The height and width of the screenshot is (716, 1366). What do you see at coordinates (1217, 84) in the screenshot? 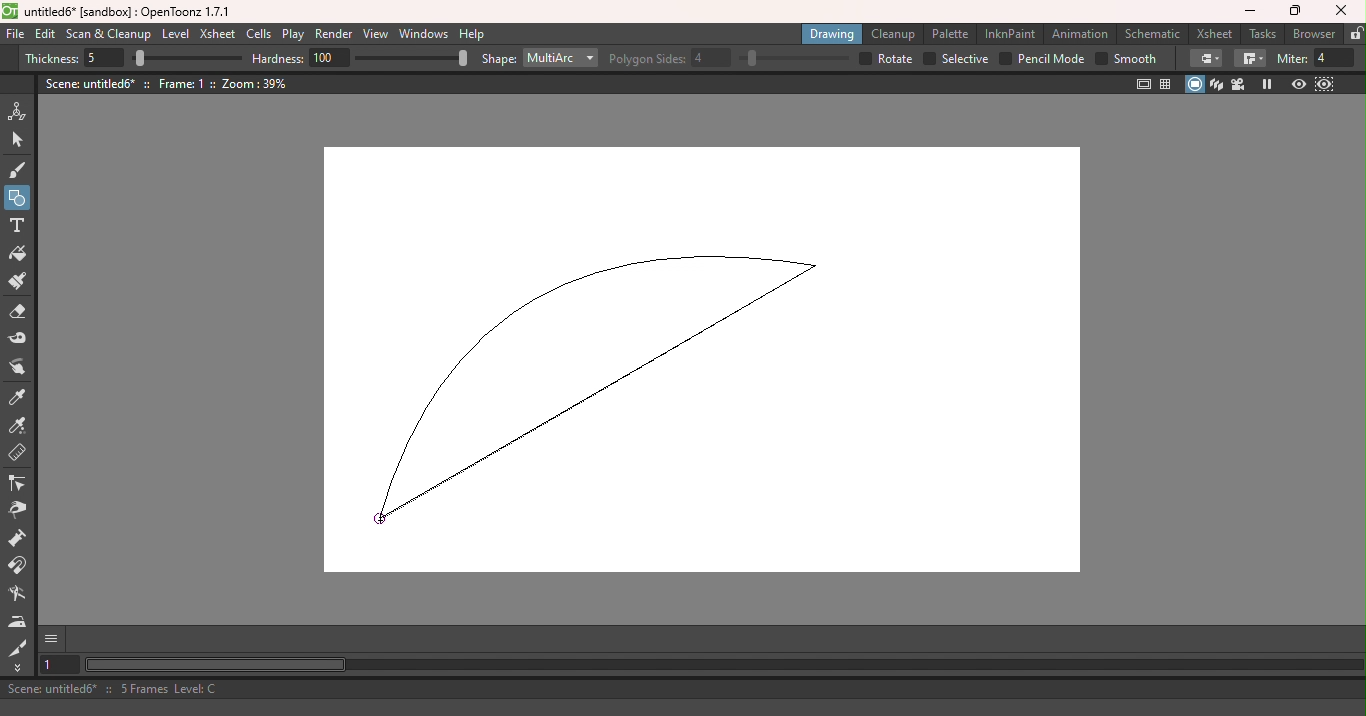
I see `3D view` at bounding box center [1217, 84].